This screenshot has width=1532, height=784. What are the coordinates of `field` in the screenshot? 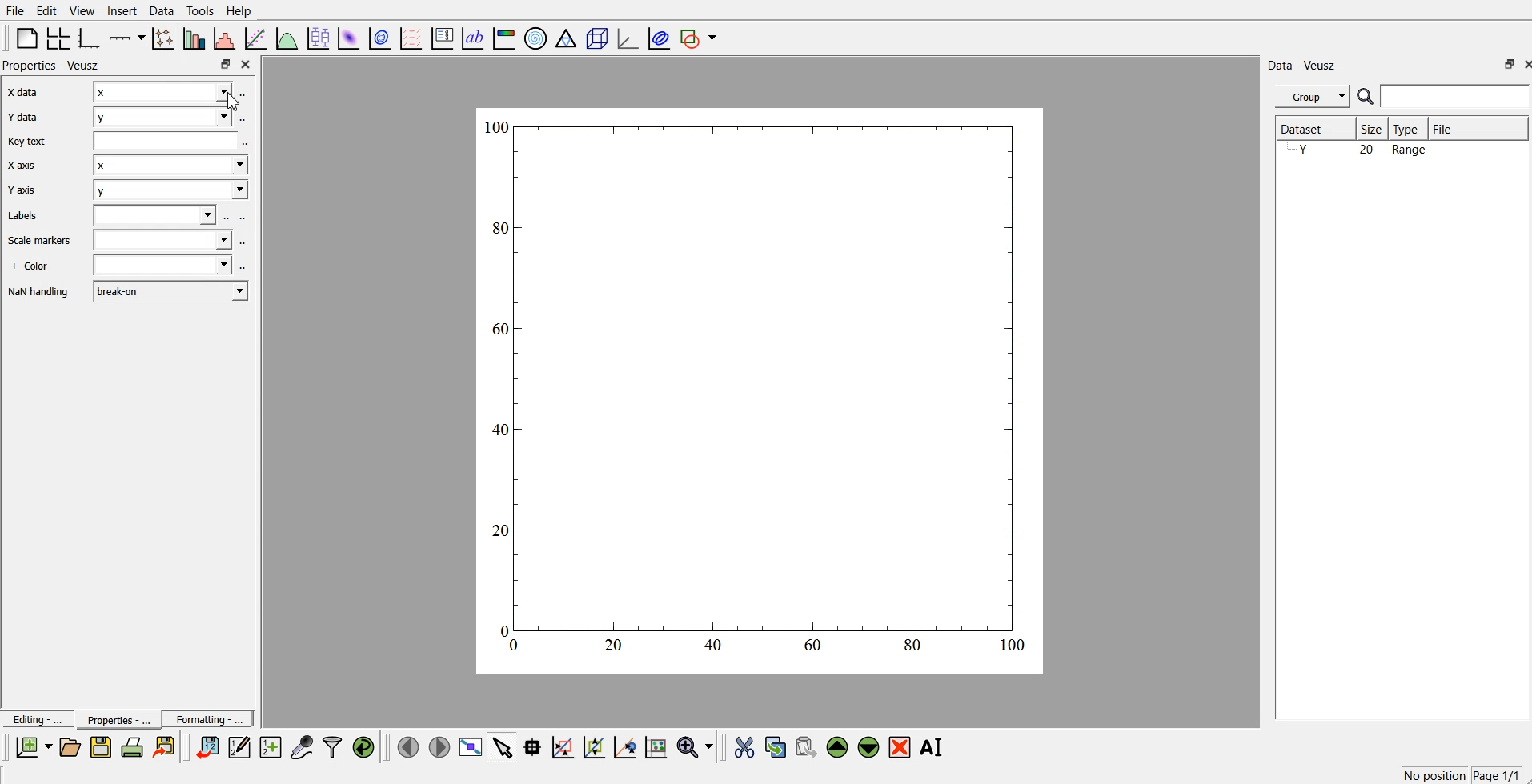 It's located at (170, 141).